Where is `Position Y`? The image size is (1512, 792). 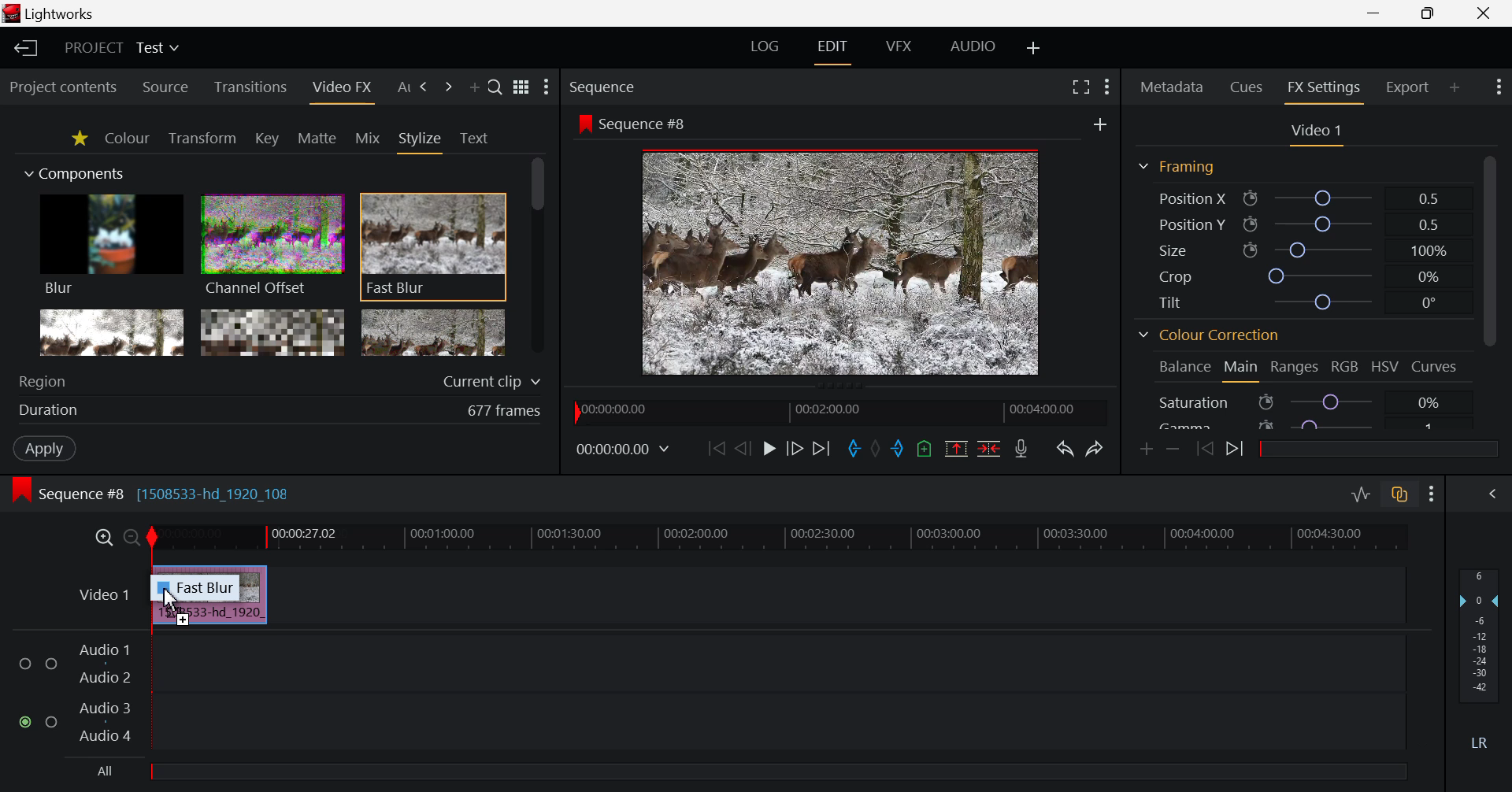
Position Y is located at coordinates (1304, 224).